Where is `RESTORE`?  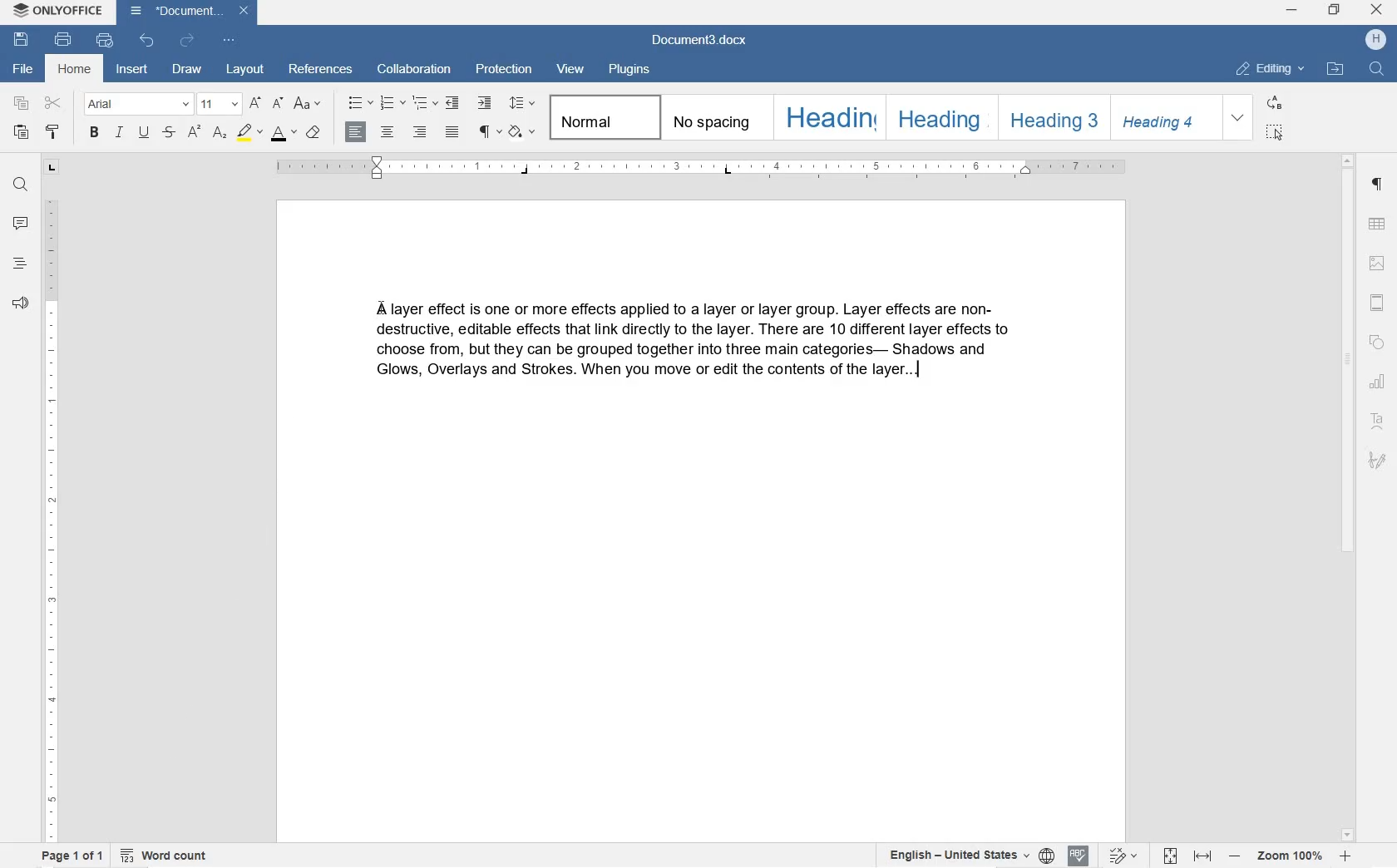 RESTORE is located at coordinates (1334, 10).